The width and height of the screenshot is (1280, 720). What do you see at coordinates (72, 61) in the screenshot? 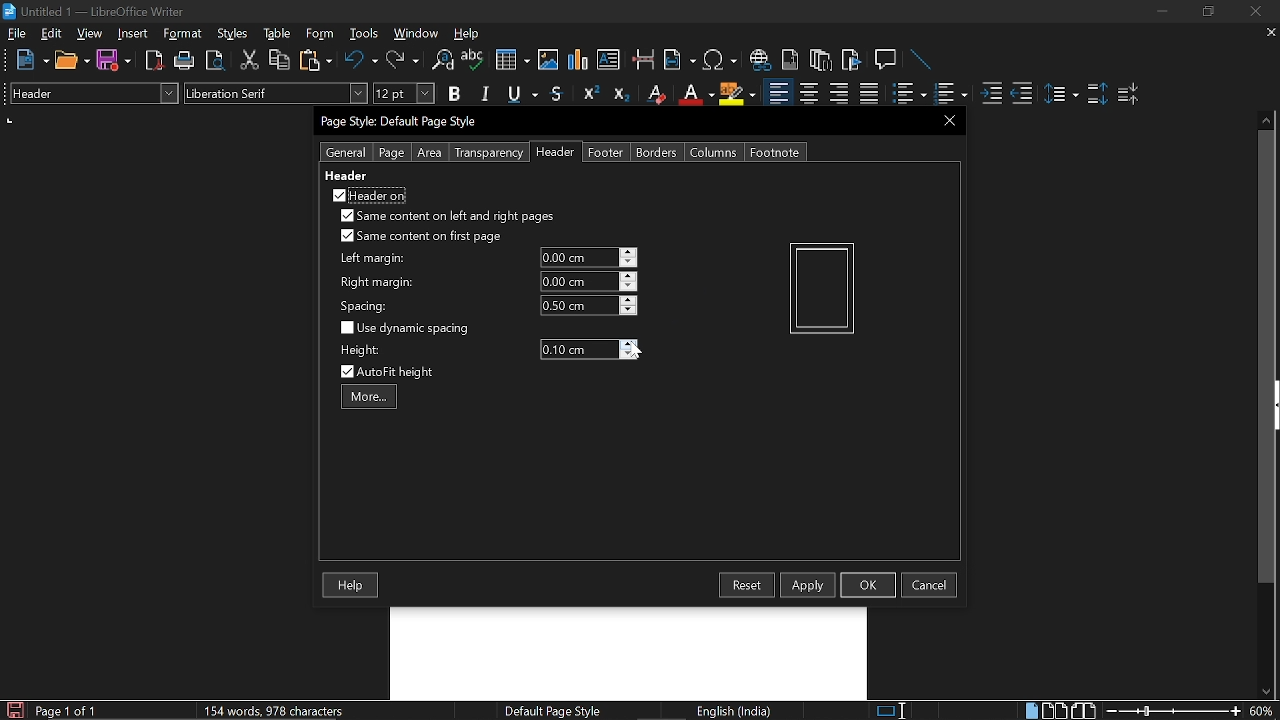
I see `Open` at bounding box center [72, 61].